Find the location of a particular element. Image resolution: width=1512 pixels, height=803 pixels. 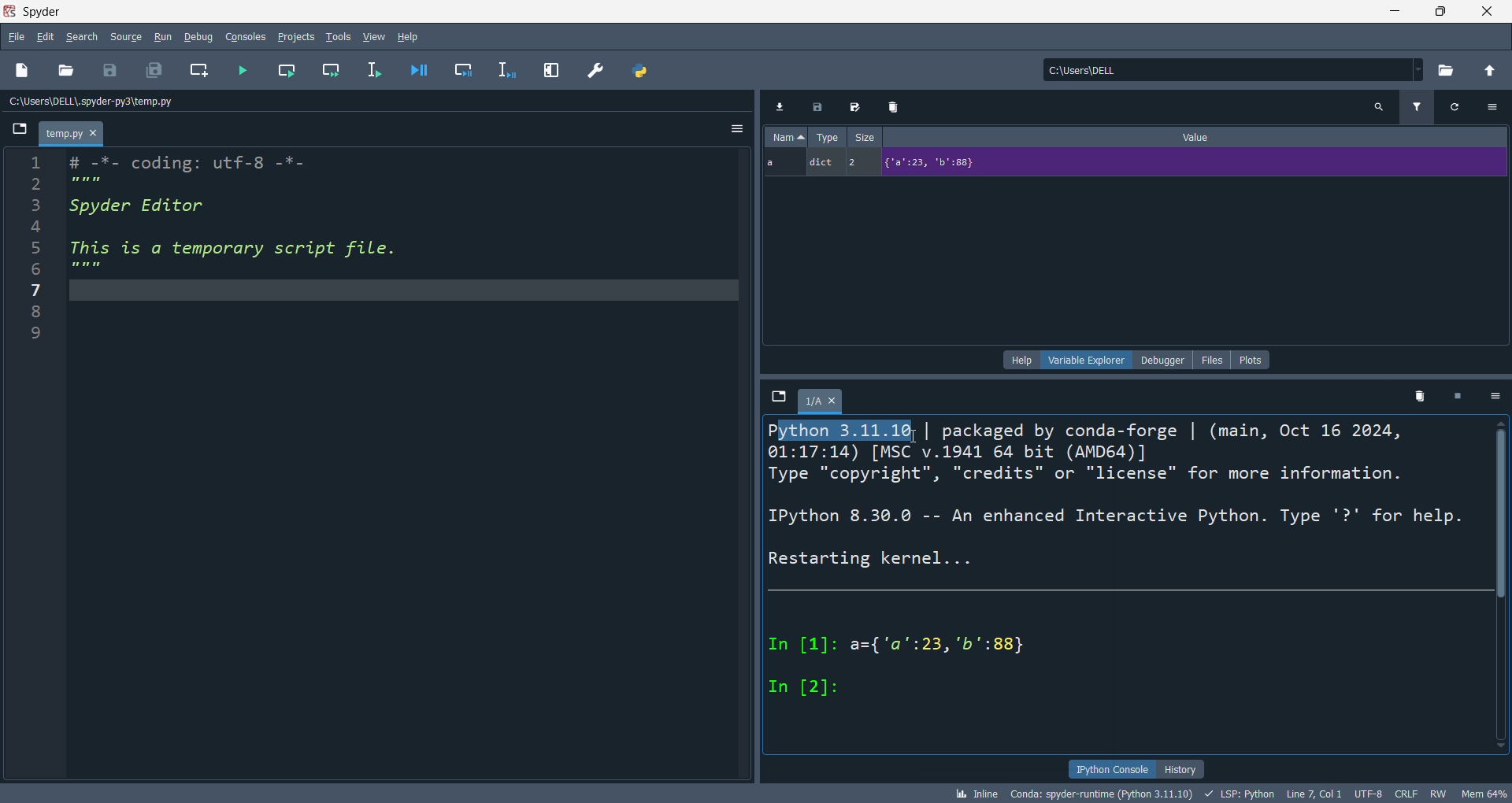

debug line is located at coordinates (513, 71).